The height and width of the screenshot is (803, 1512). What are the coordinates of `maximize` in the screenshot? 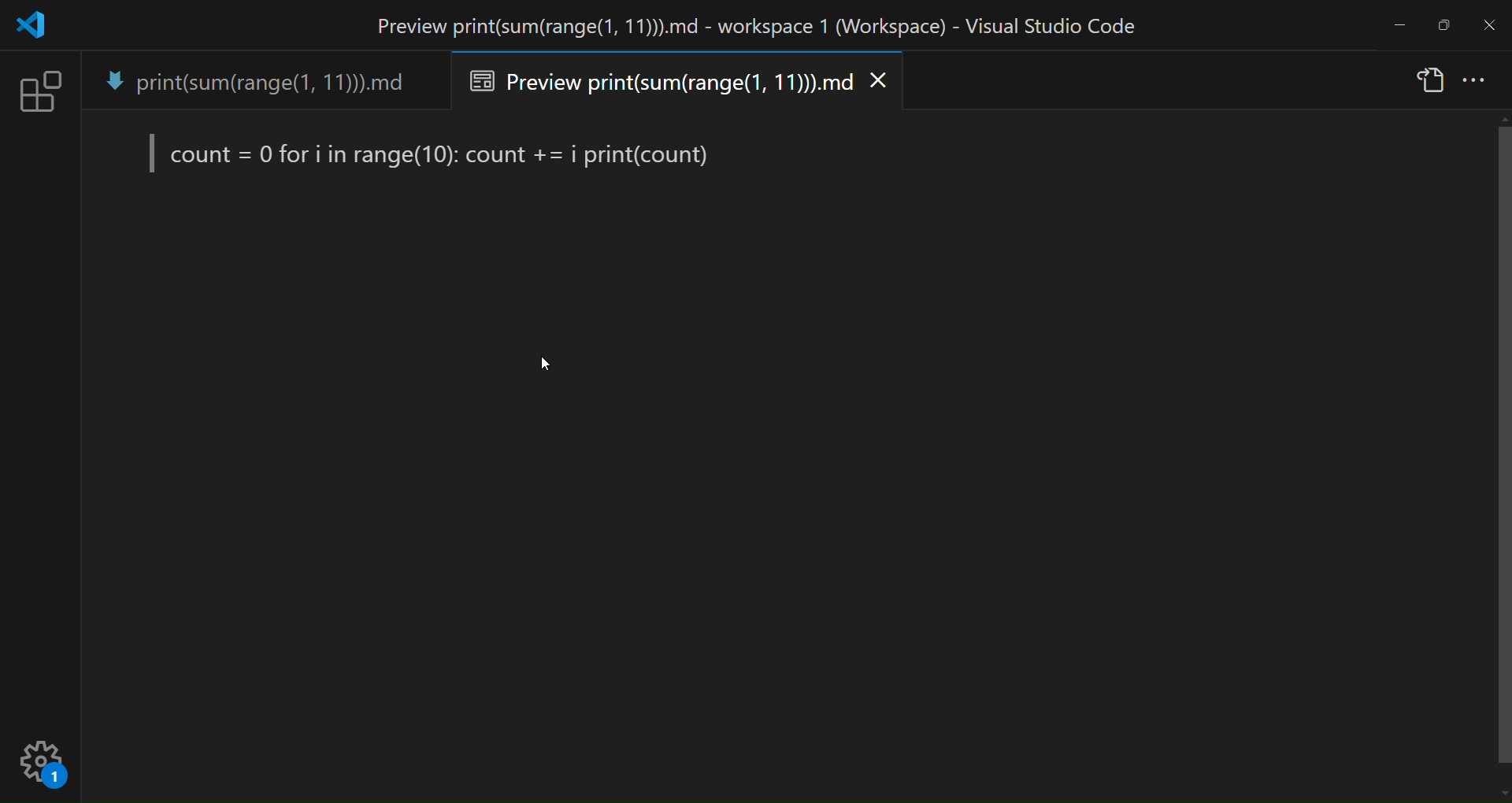 It's located at (1439, 25).